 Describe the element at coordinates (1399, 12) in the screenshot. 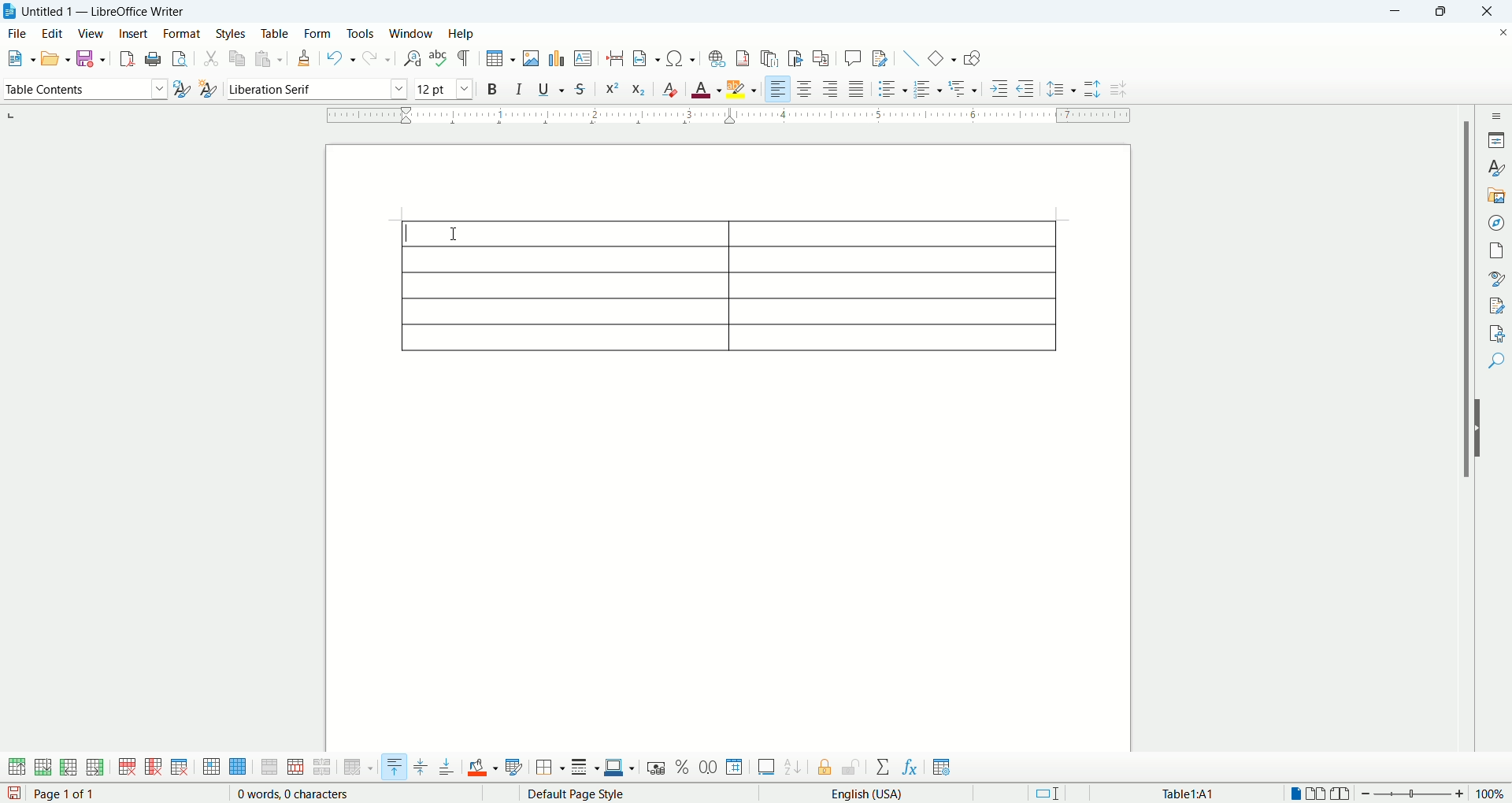

I see `minimize` at that location.